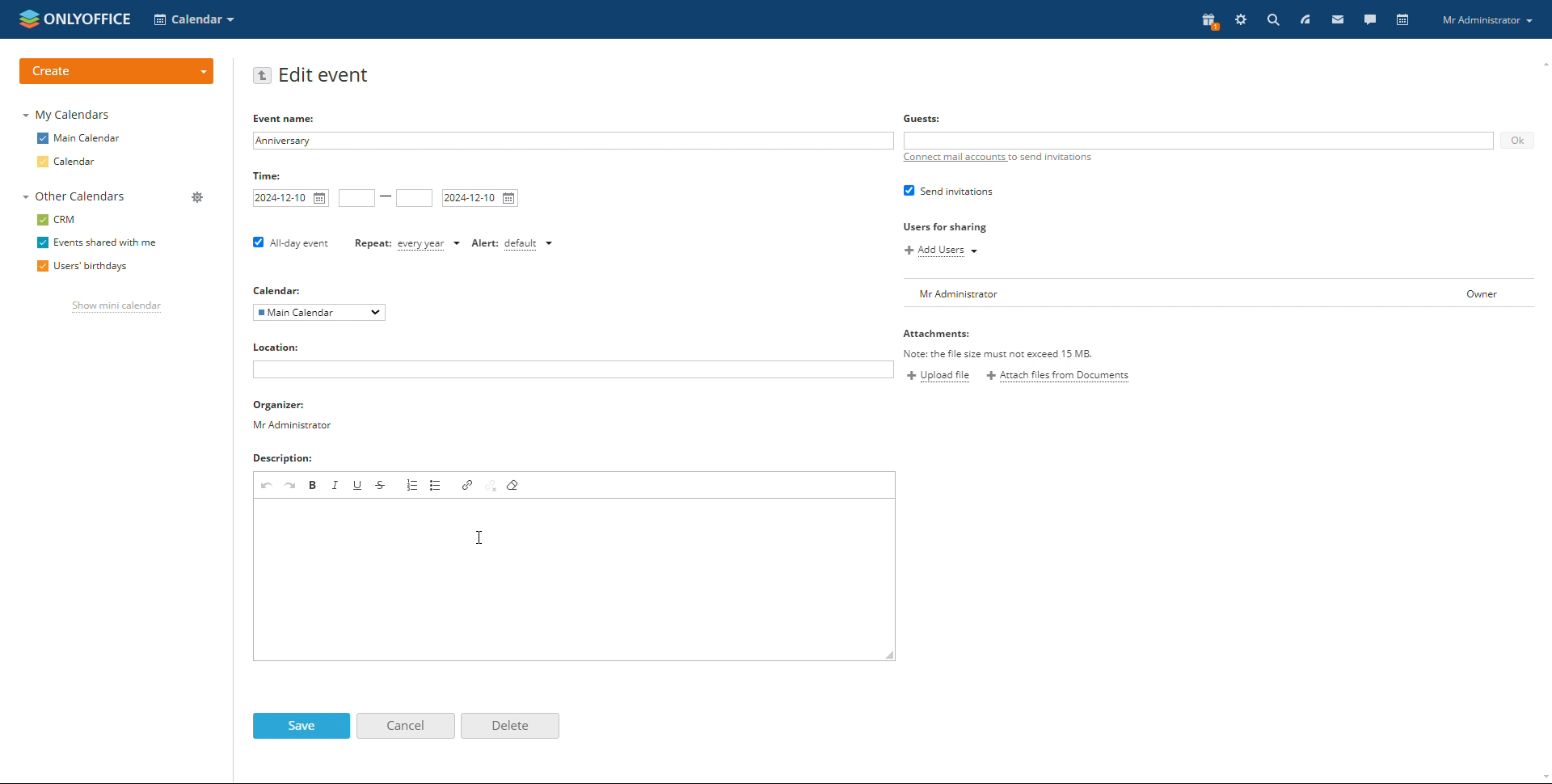 The image size is (1552, 784). Describe the element at coordinates (357, 198) in the screenshot. I see `start time` at that location.